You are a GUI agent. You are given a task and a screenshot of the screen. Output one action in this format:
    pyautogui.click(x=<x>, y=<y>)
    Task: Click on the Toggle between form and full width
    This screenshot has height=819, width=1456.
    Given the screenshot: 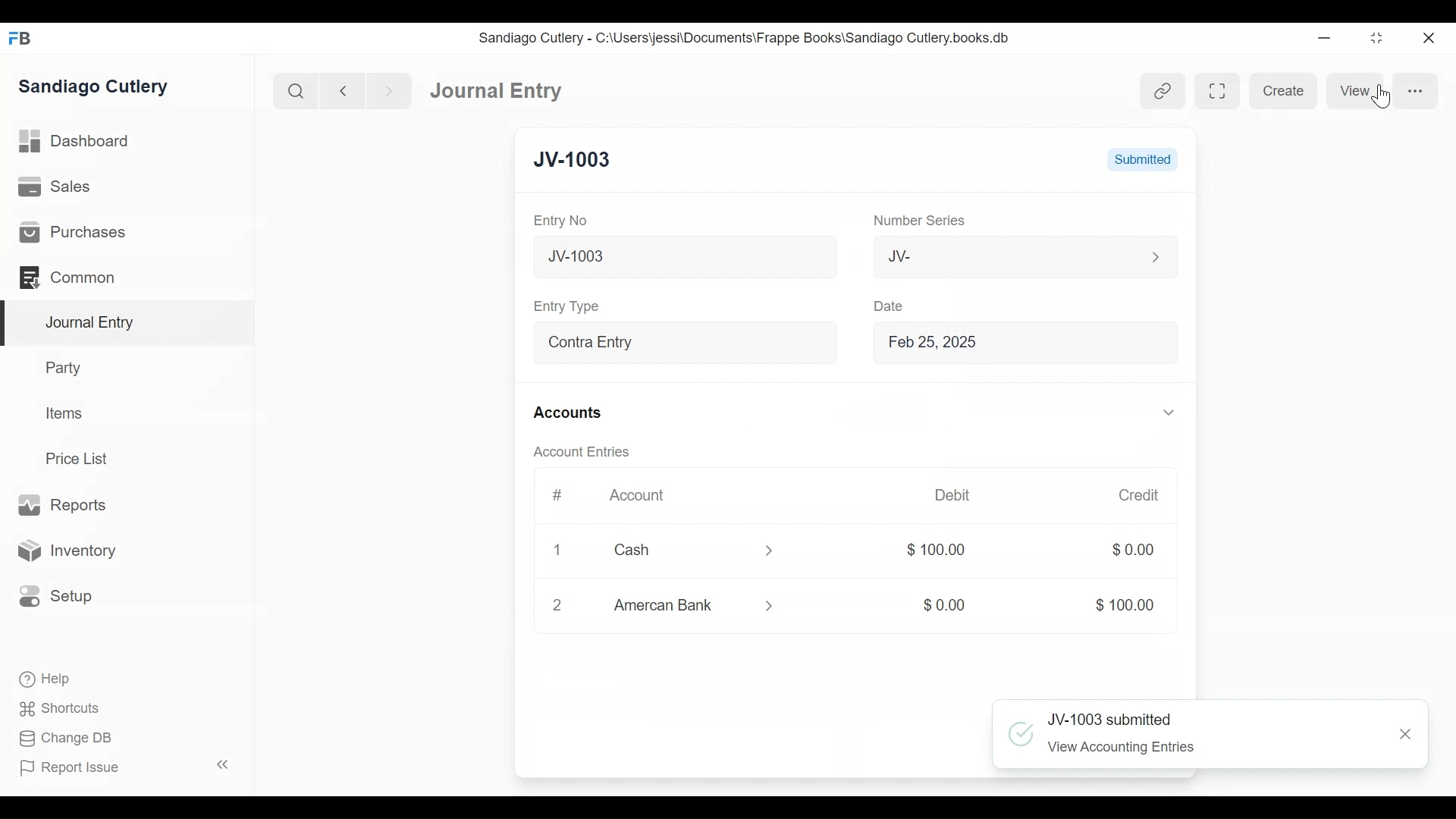 What is the action you would take?
    pyautogui.click(x=1218, y=91)
    